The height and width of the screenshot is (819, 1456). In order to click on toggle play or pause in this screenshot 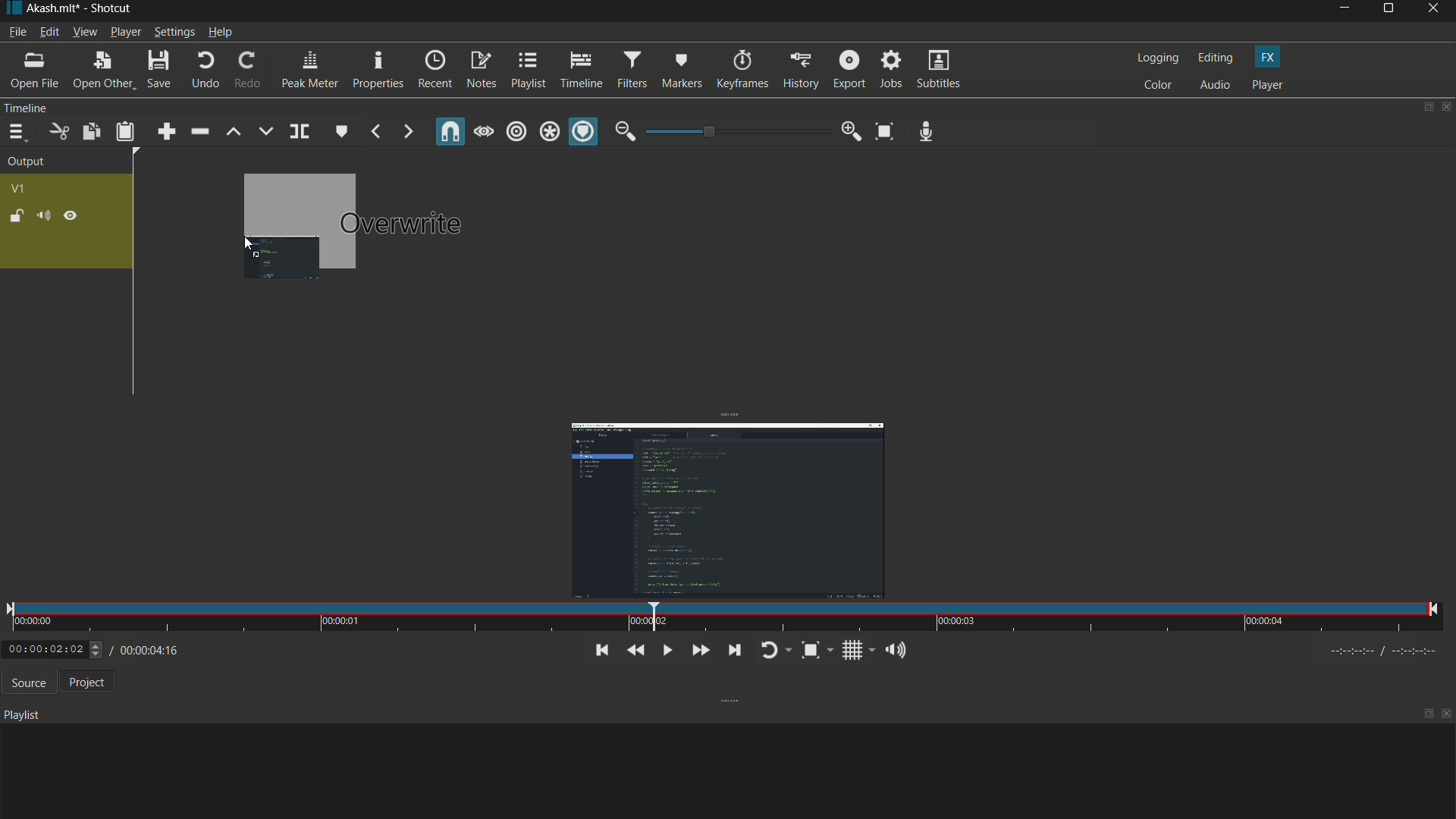, I will do `click(665, 650)`.